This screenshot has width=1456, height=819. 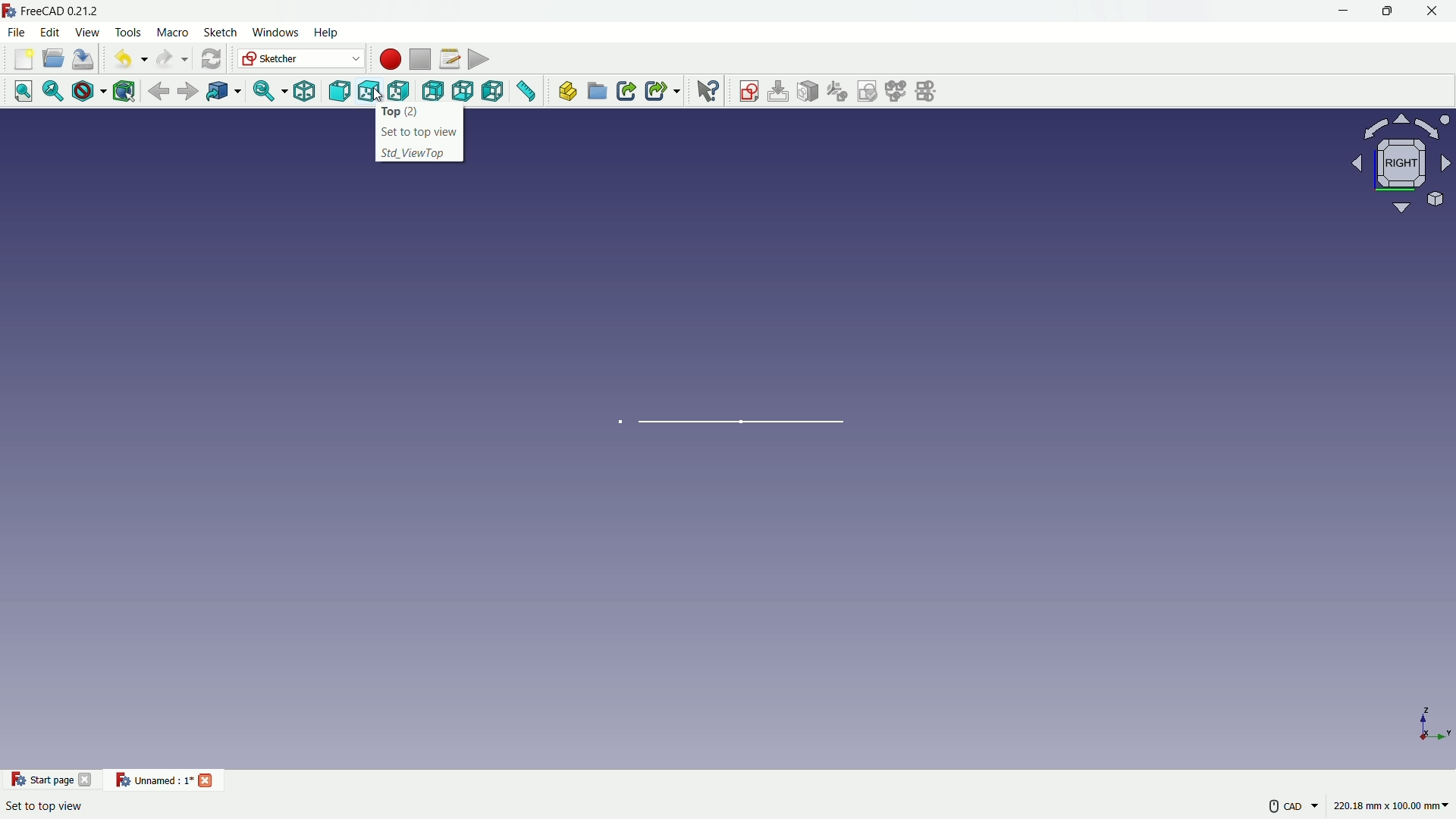 I want to click on macros, so click(x=449, y=58).